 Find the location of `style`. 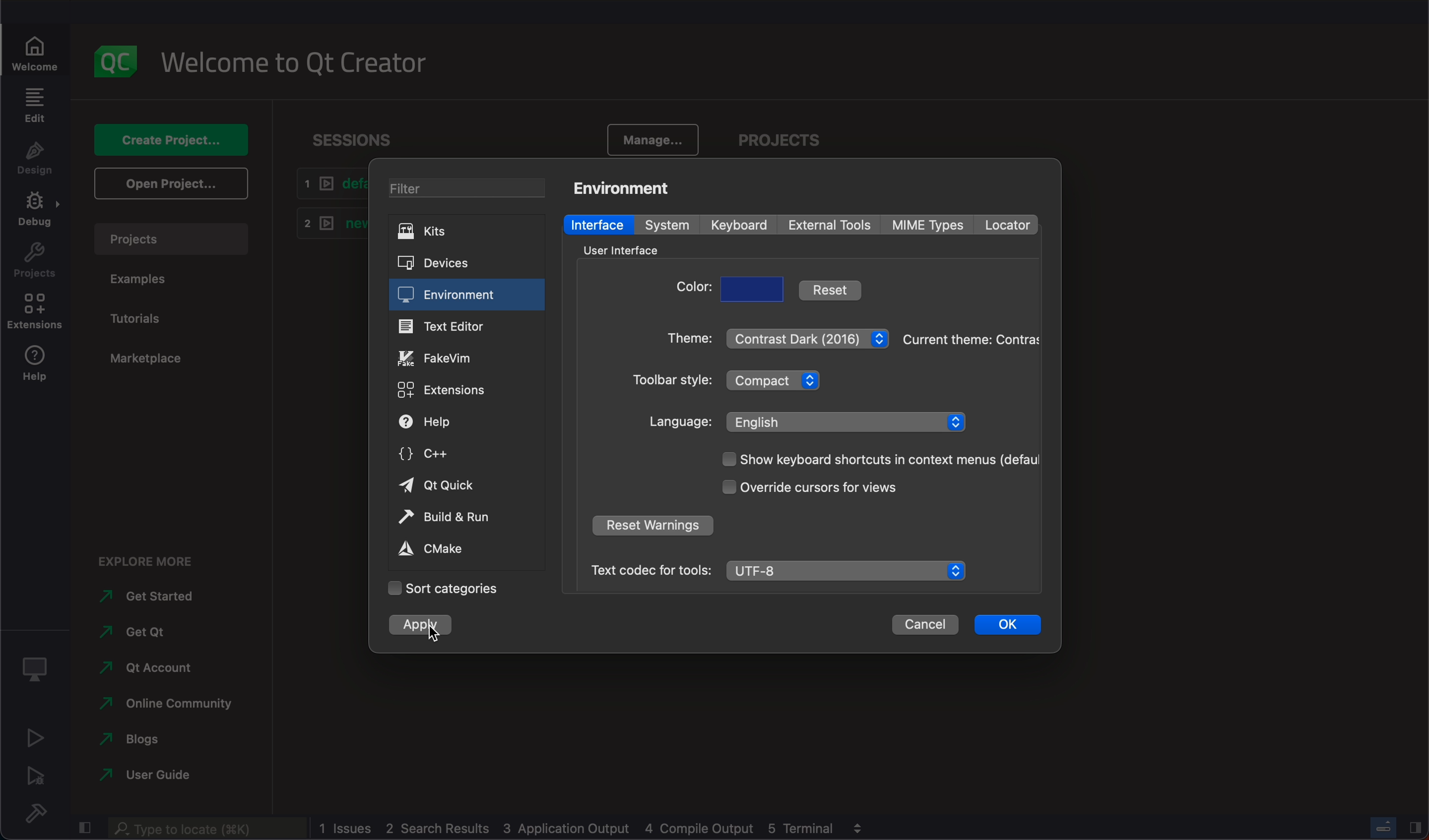

style is located at coordinates (673, 380).